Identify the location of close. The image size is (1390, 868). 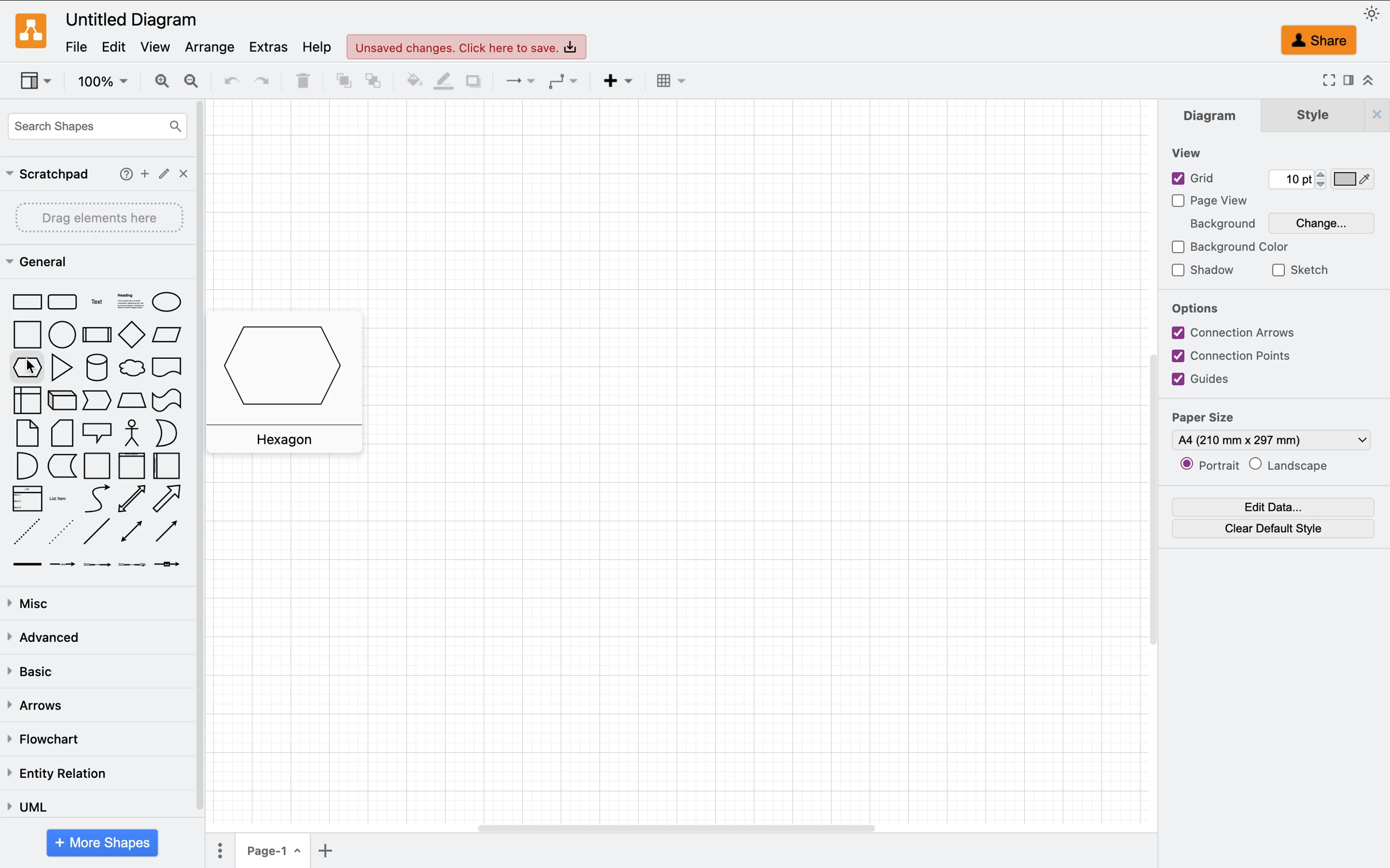
(1370, 113).